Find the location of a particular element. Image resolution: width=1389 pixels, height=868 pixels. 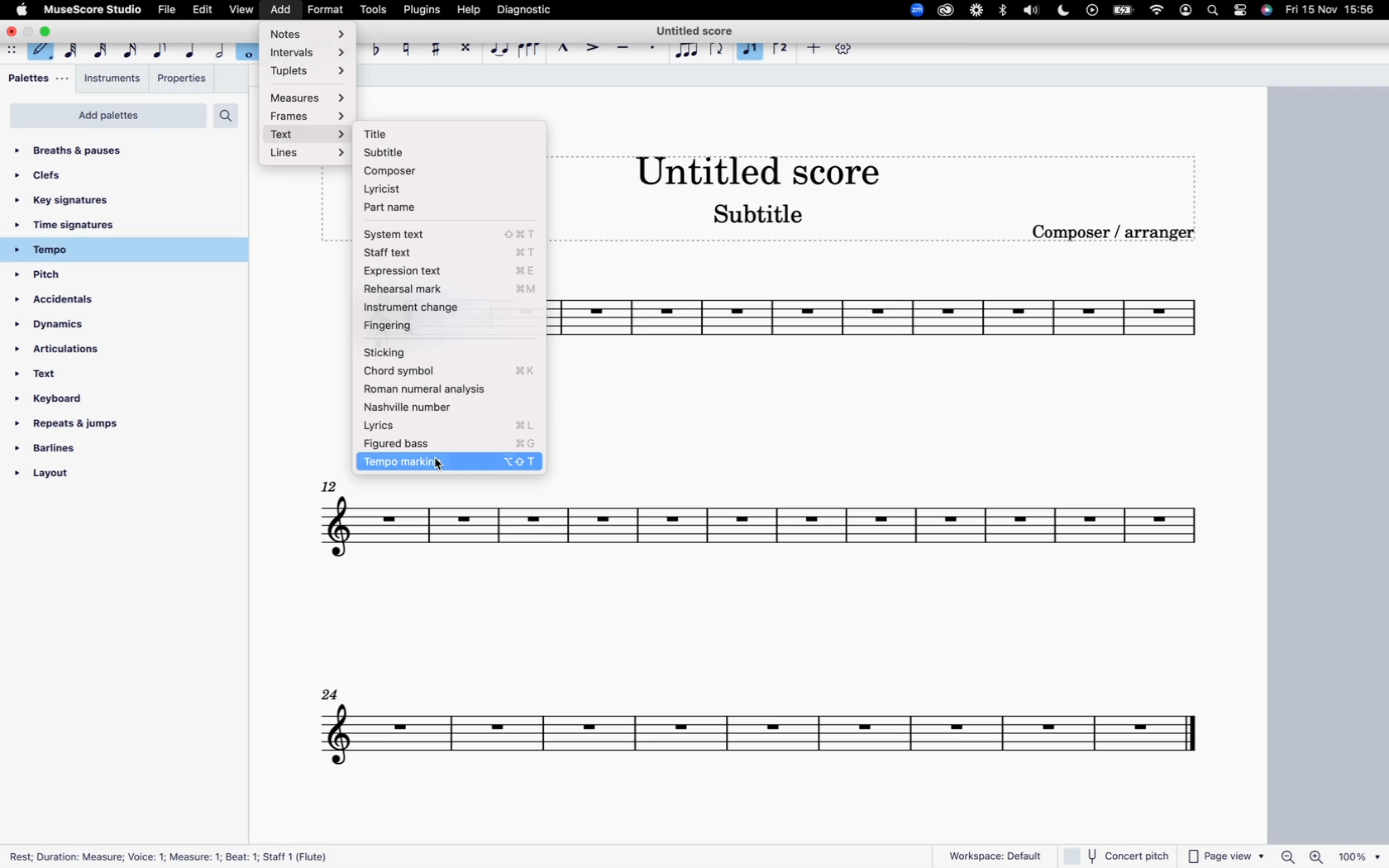

accent is located at coordinates (591, 50).